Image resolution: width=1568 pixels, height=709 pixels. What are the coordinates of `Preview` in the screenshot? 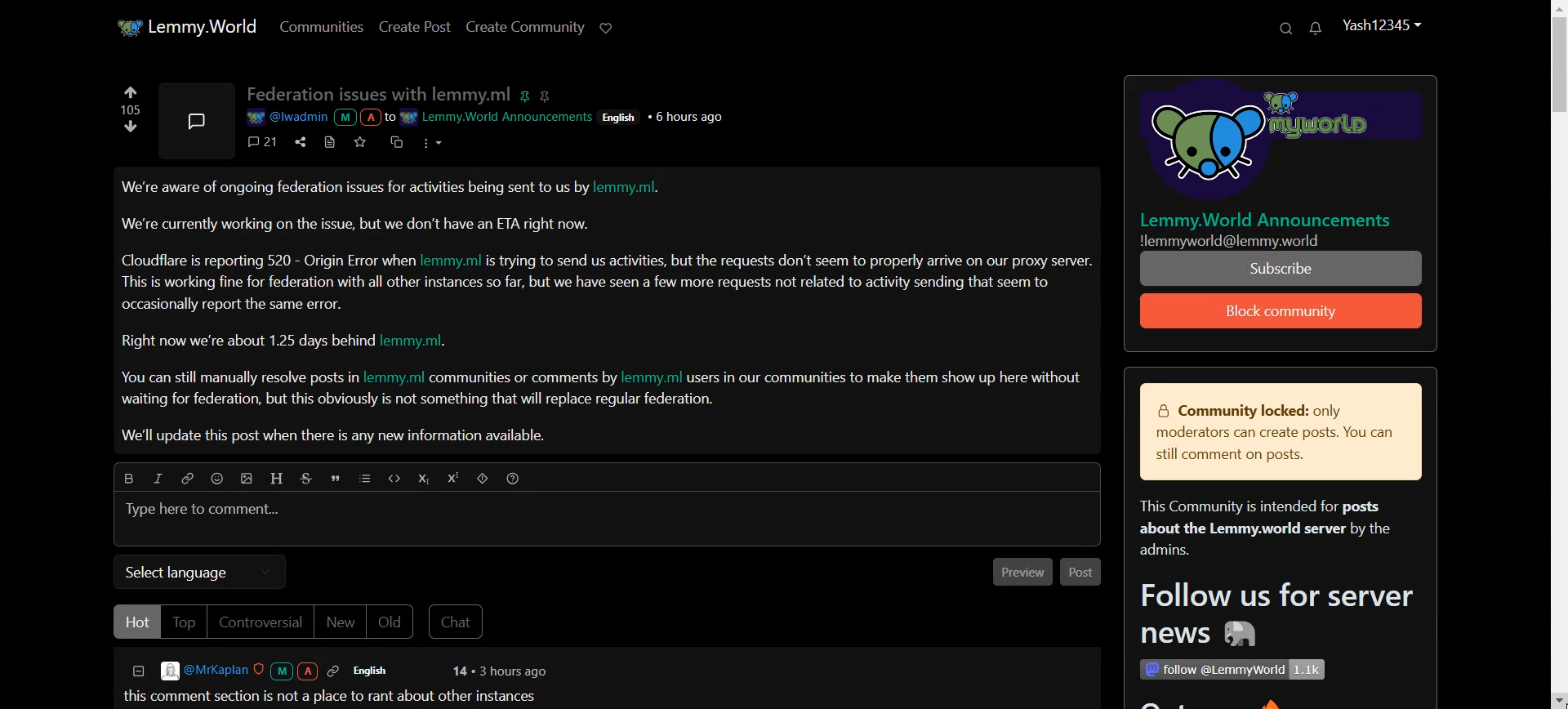 It's located at (1022, 571).